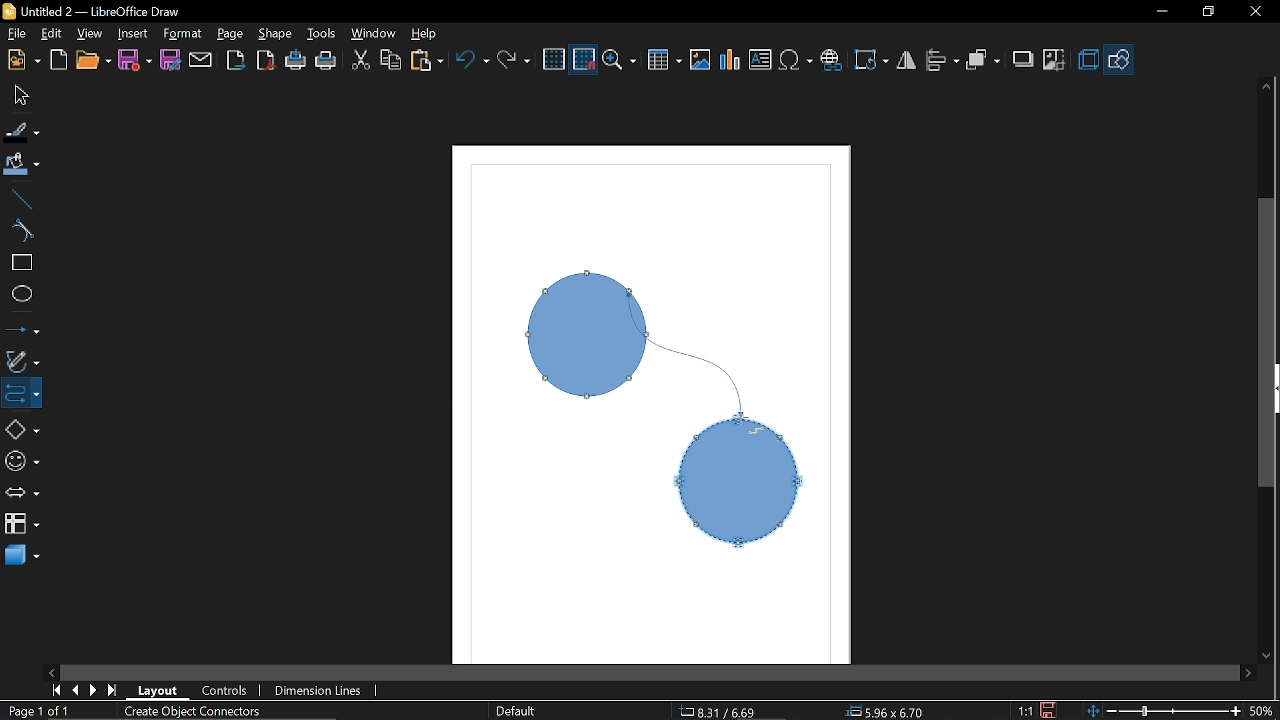  What do you see at coordinates (1270, 659) in the screenshot?
I see `Move down` at bounding box center [1270, 659].